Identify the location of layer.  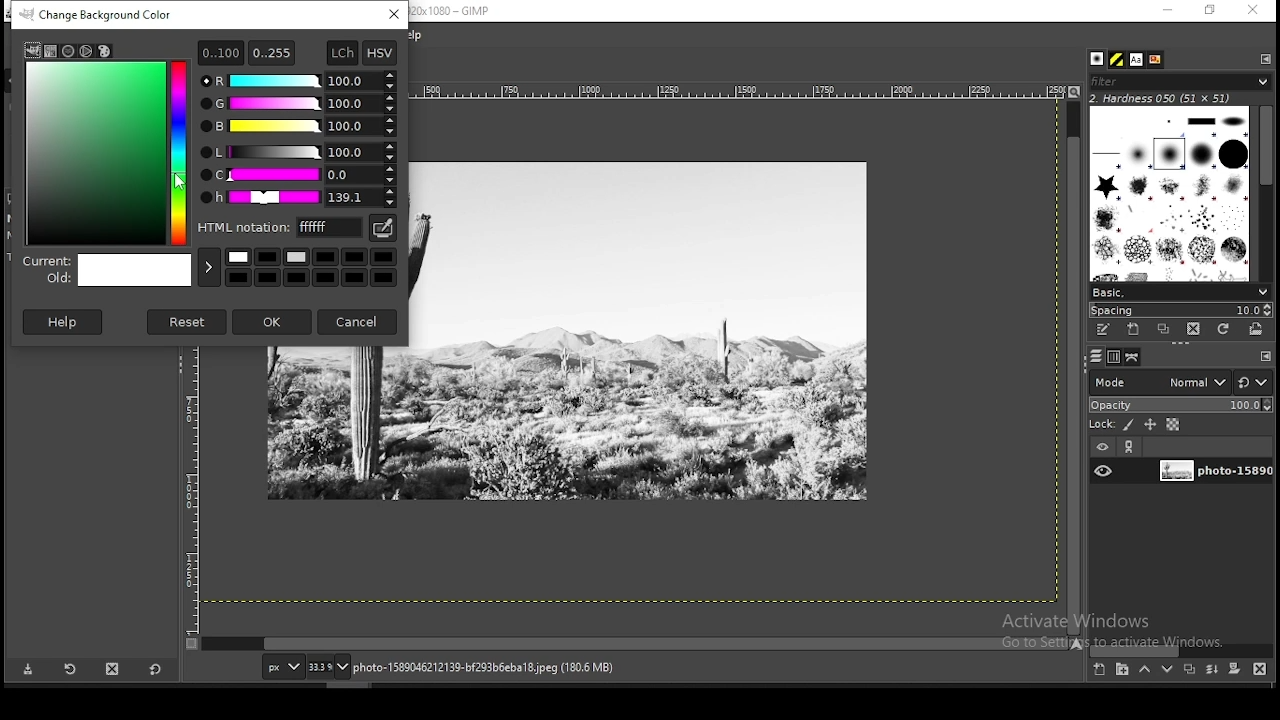
(1213, 472).